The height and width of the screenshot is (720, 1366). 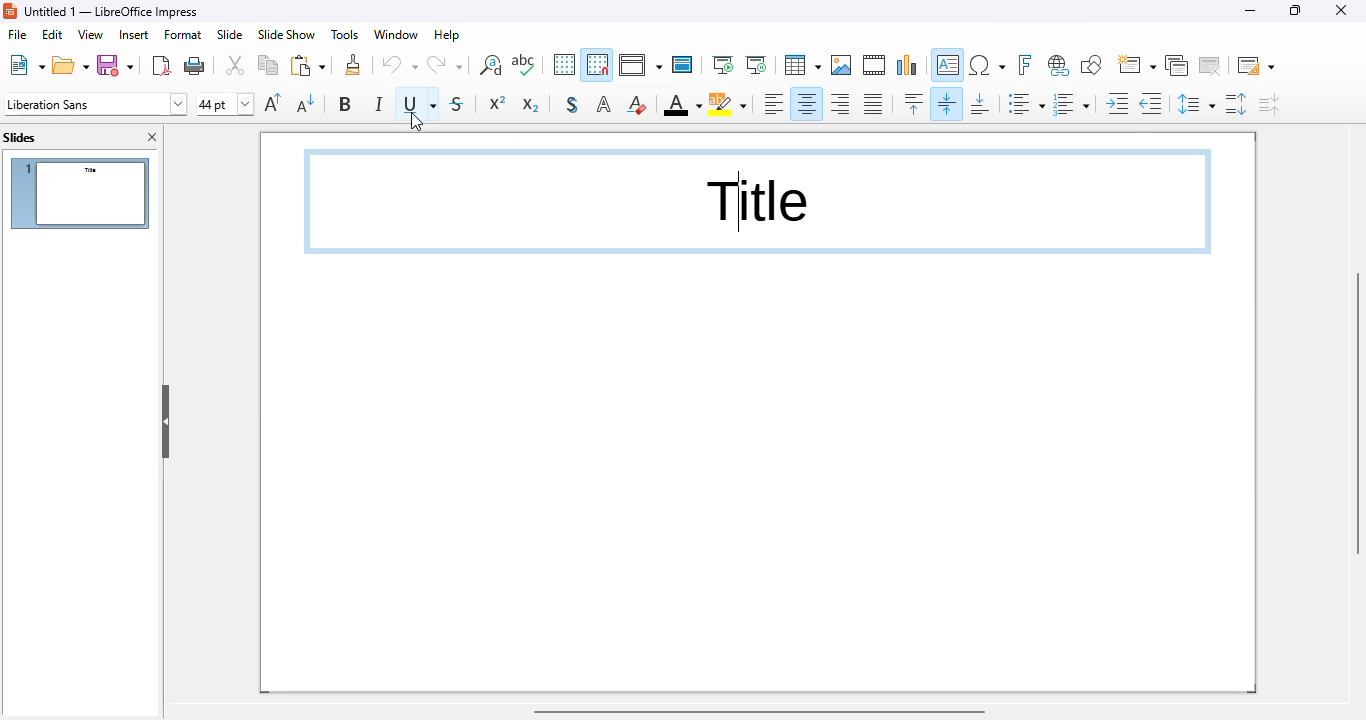 What do you see at coordinates (1211, 66) in the screenshot?
I see `delete slide` at bounding box center [1211, 66].